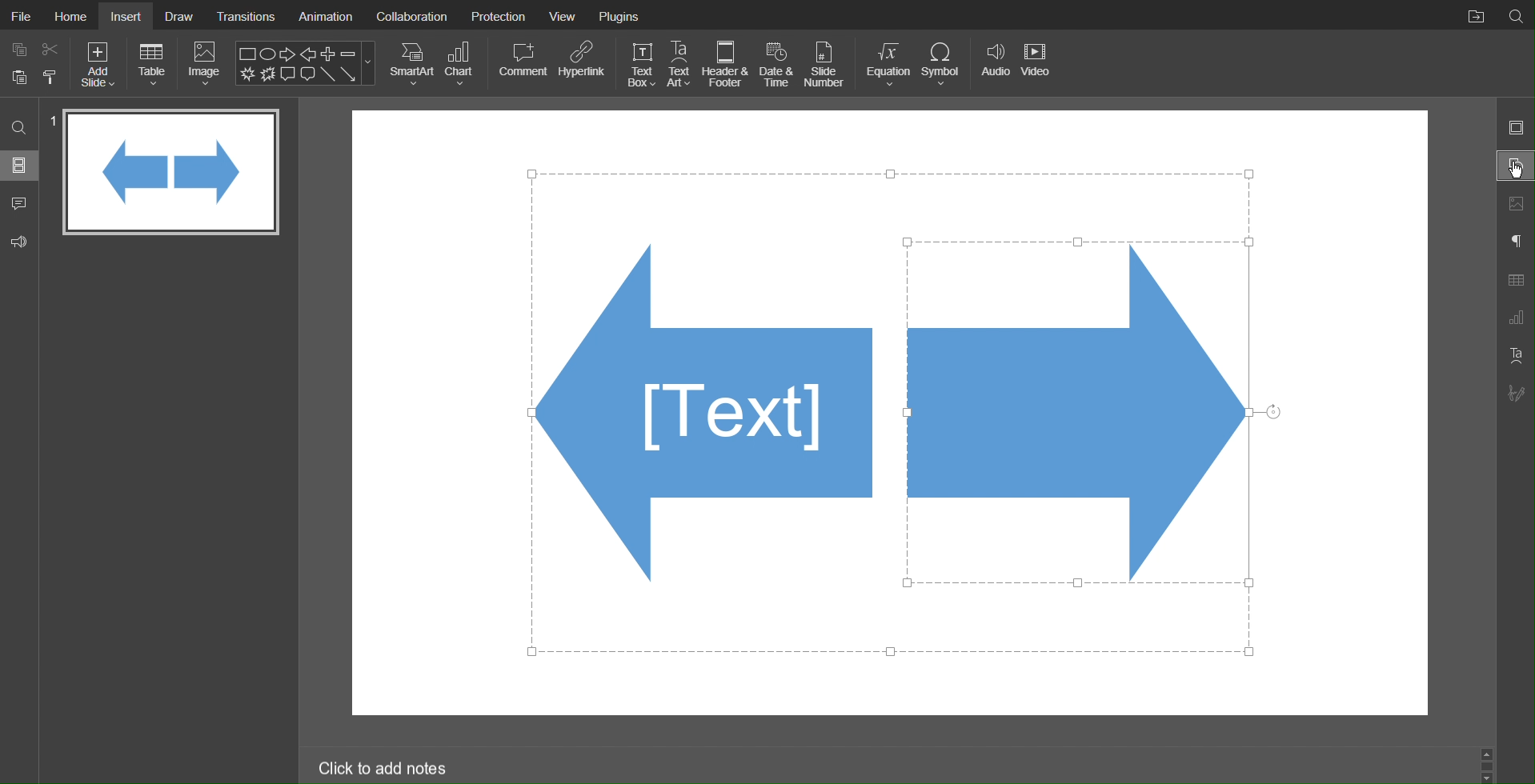 The image size is (1535, 784). Describe the element at coordinates (128, 16) in the screenshot. I see `Insert` at that location.